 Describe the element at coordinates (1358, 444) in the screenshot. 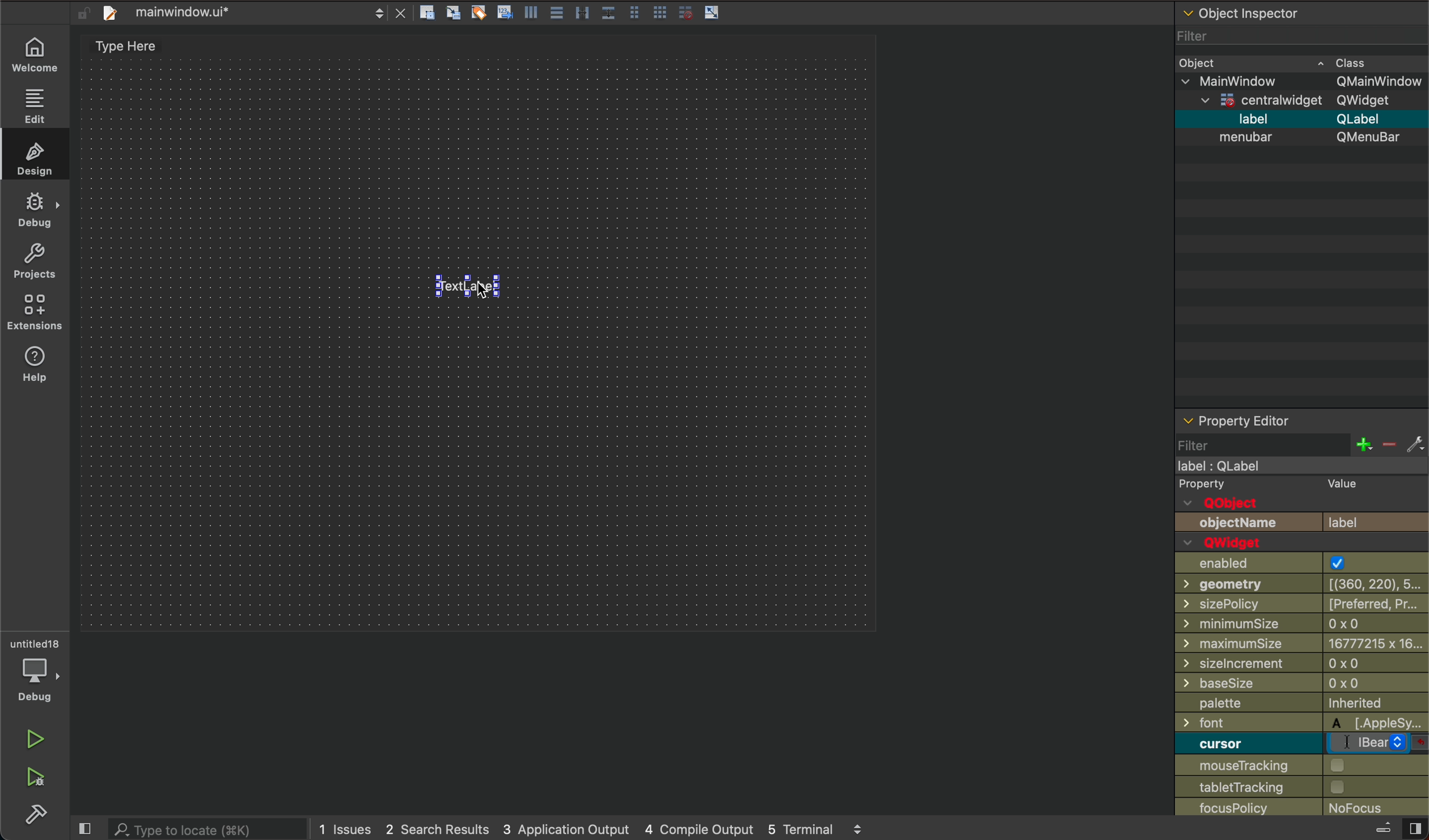

I see `increase` at that location.